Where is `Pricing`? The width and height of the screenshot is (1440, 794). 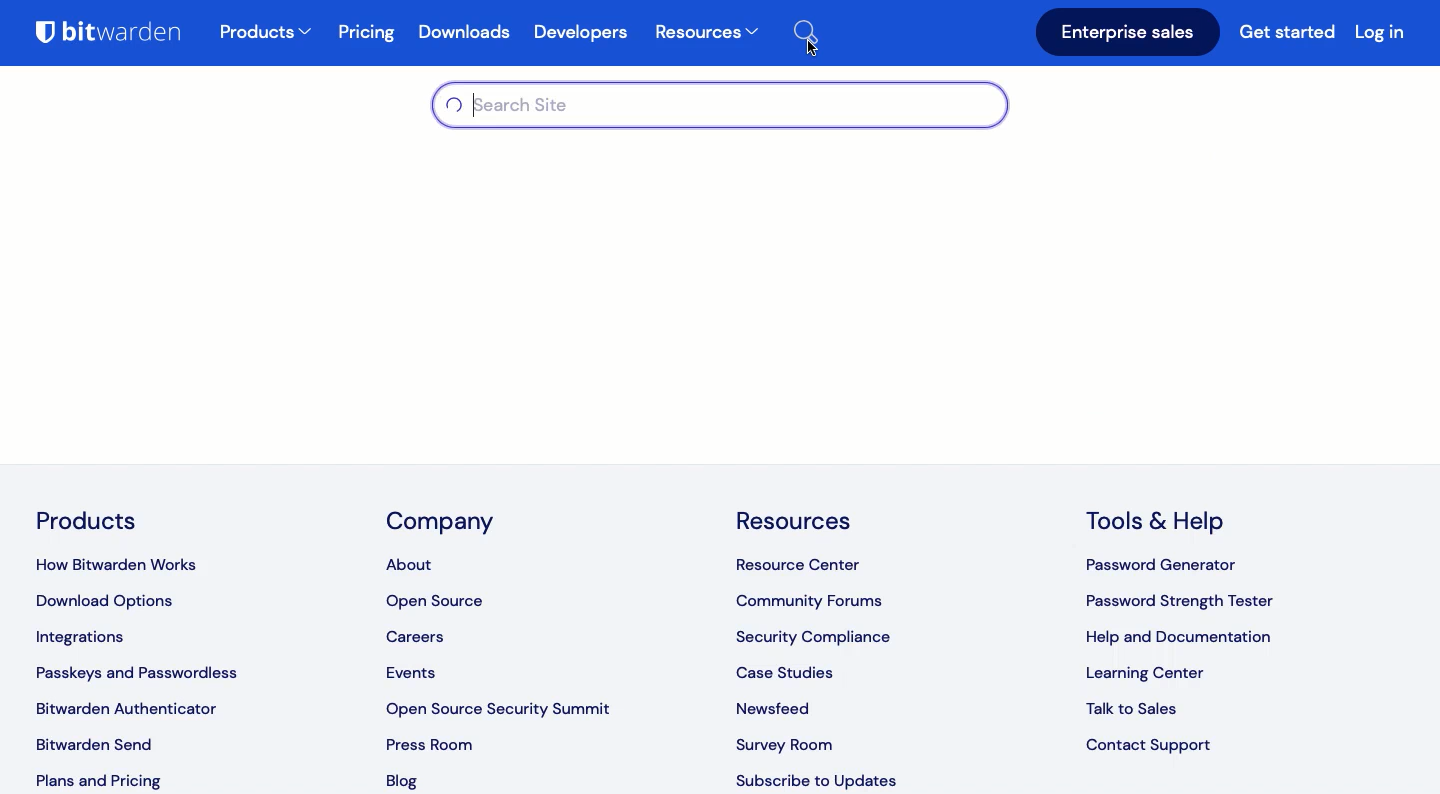
Pricing is located at coordinates (368, 33).